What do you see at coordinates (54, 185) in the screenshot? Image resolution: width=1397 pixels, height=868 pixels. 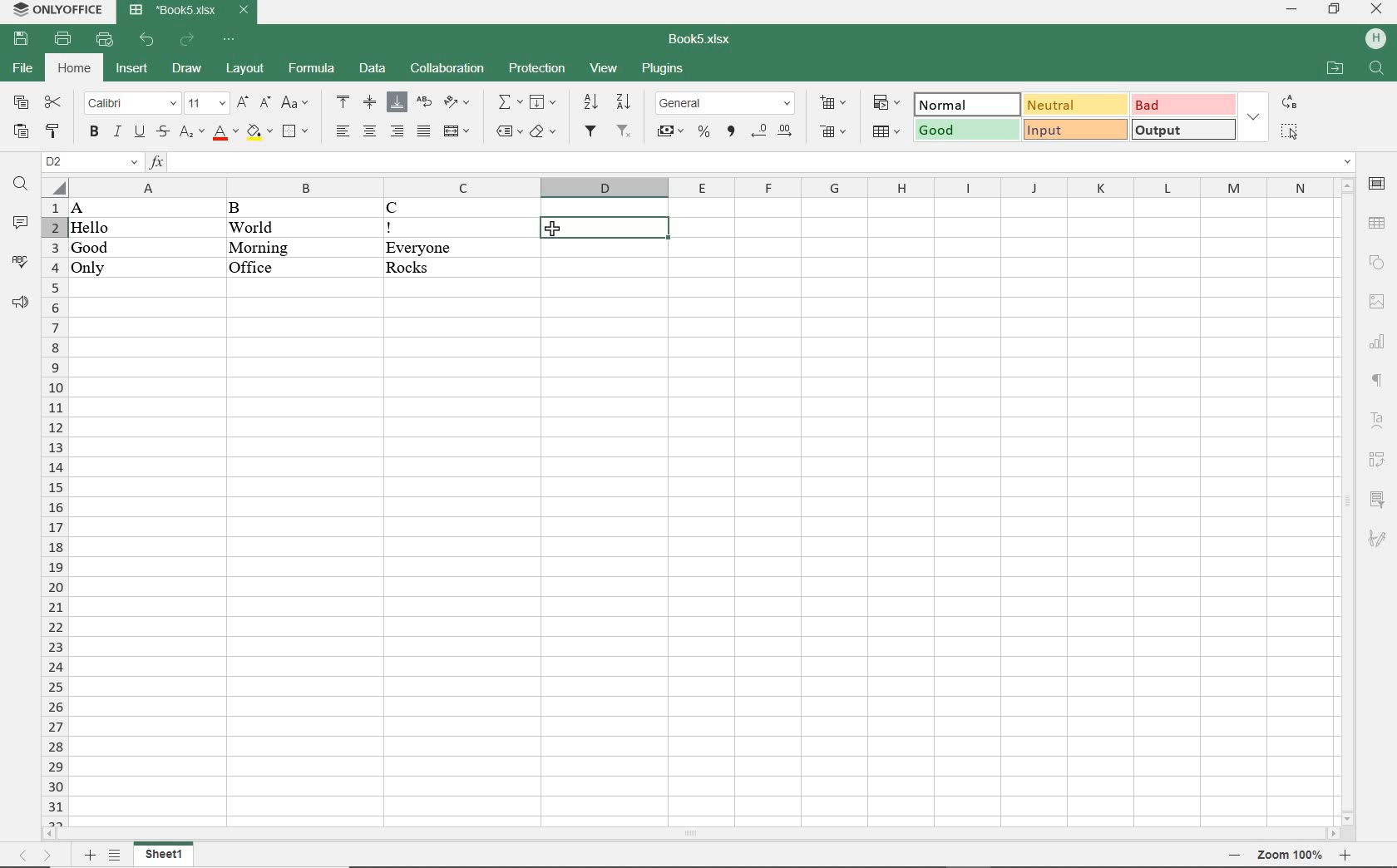 I see `select all cells ` at bounding box center [54, 185].